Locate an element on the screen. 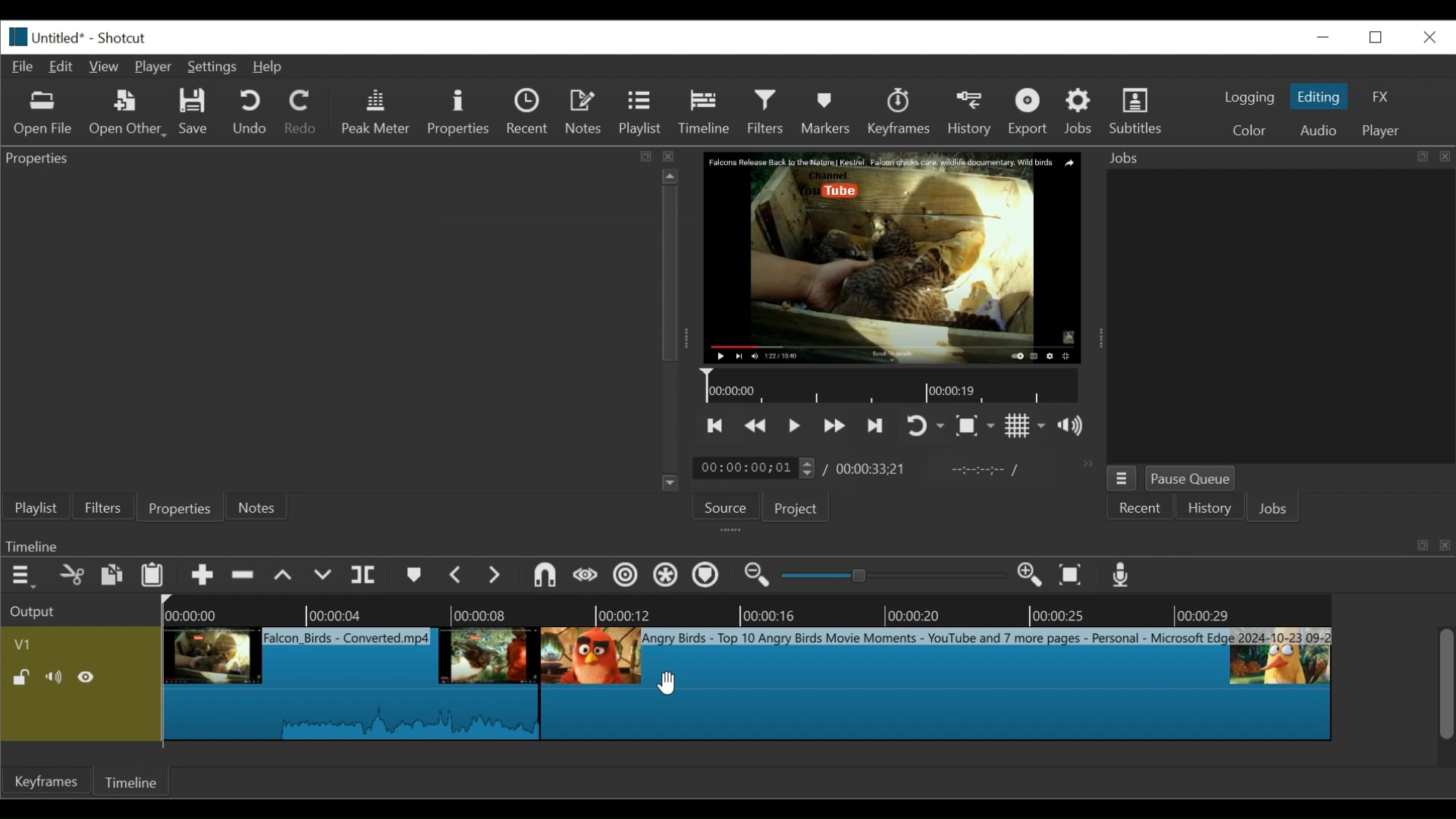  Current duration is located at coordinates (757, 467).